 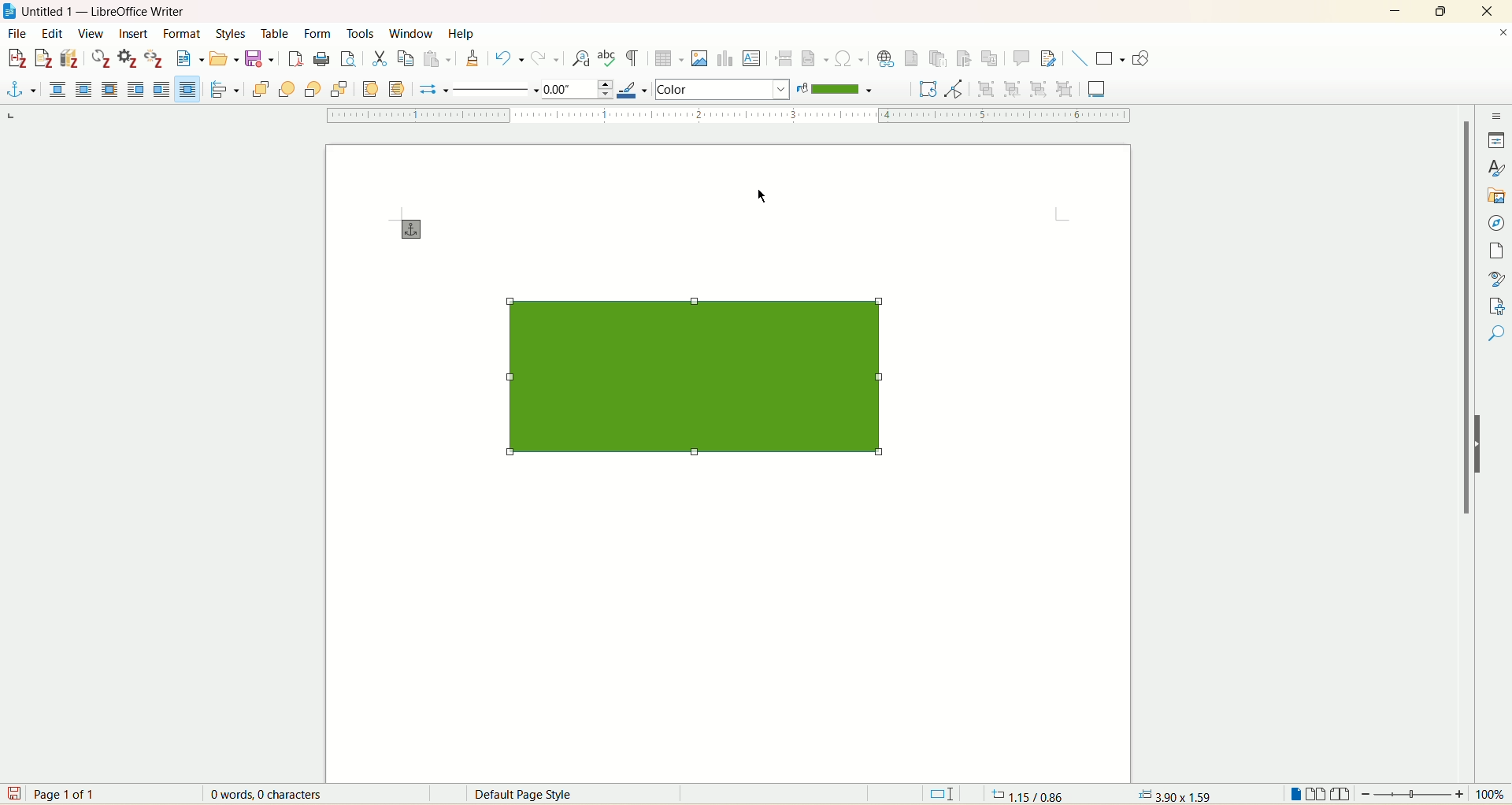 I want to click on properties, so click(x=1496, y=142).